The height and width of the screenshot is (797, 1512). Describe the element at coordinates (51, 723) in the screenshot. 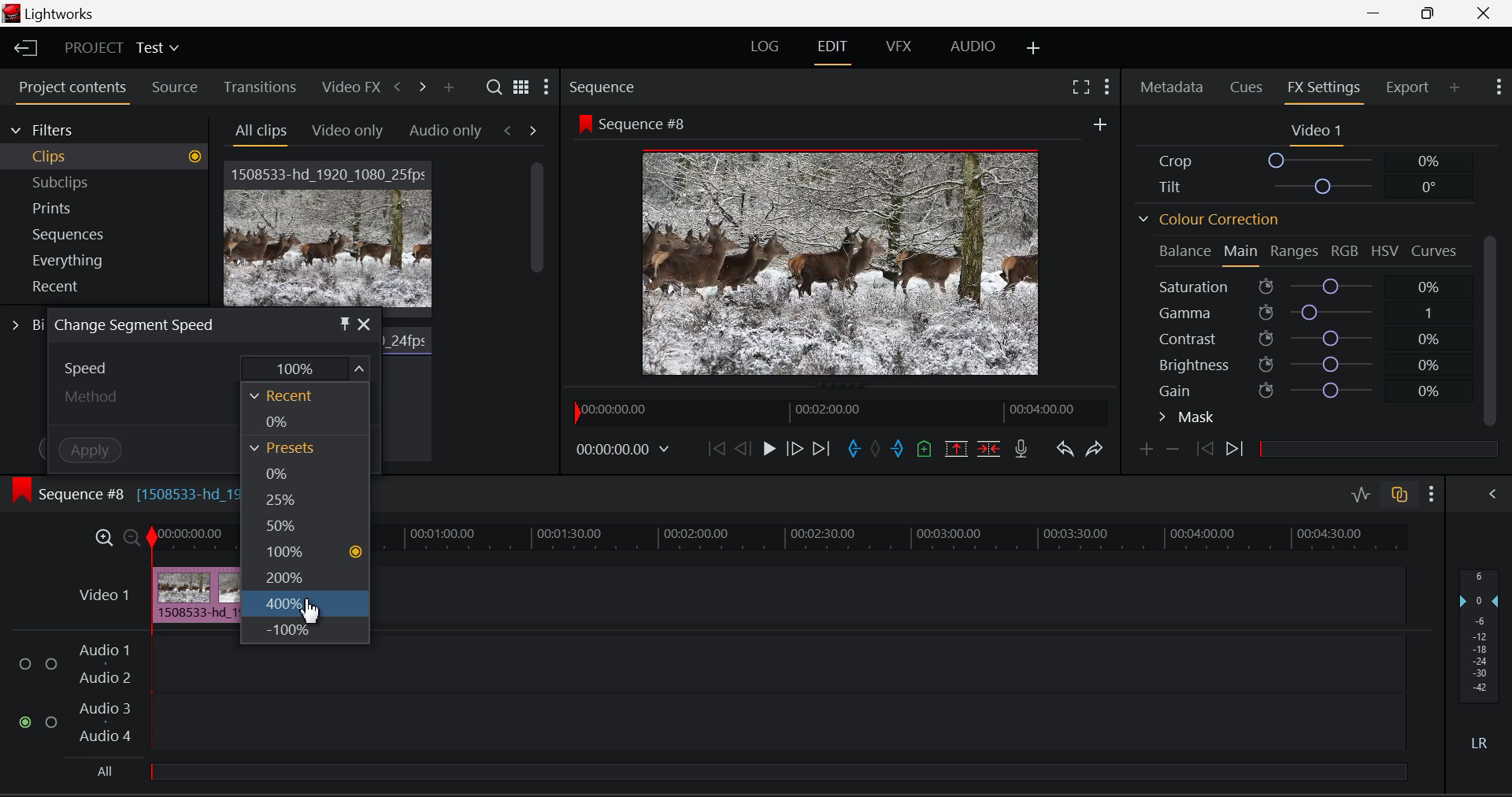

I see `Audio Input Checkbox` at that location.